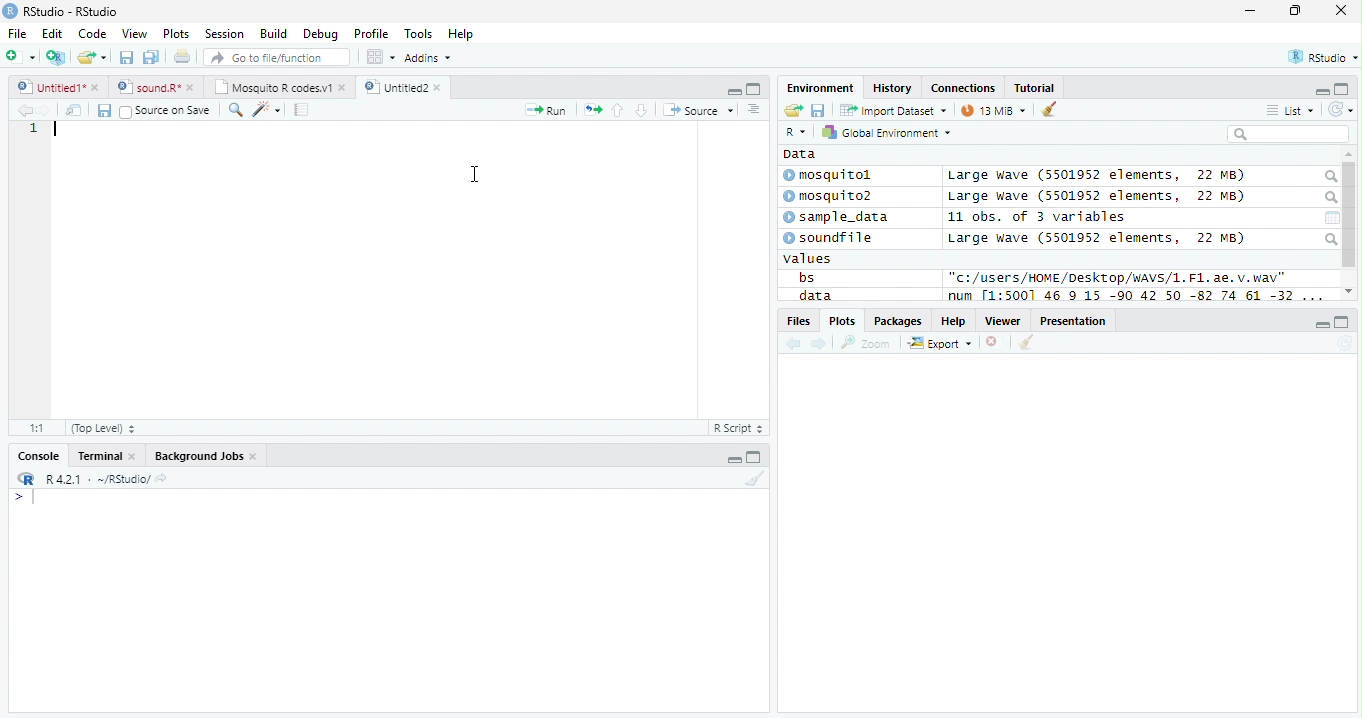 The image size is (1362, 718). Describe the element at coordinates (1329, 177) in the screenshot. I see `search` at that location.